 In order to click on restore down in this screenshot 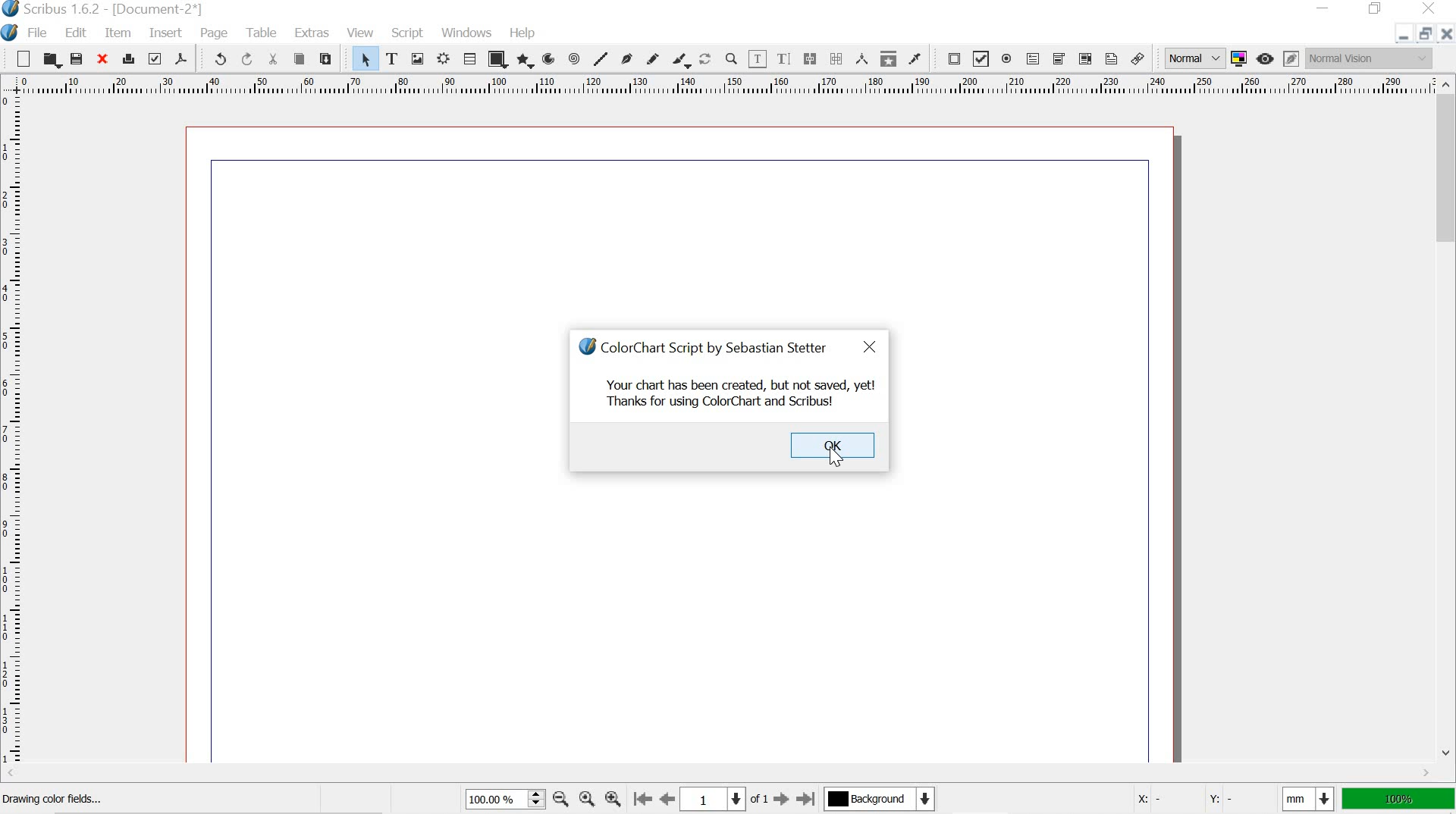, I will do `click(1427, 33)`.